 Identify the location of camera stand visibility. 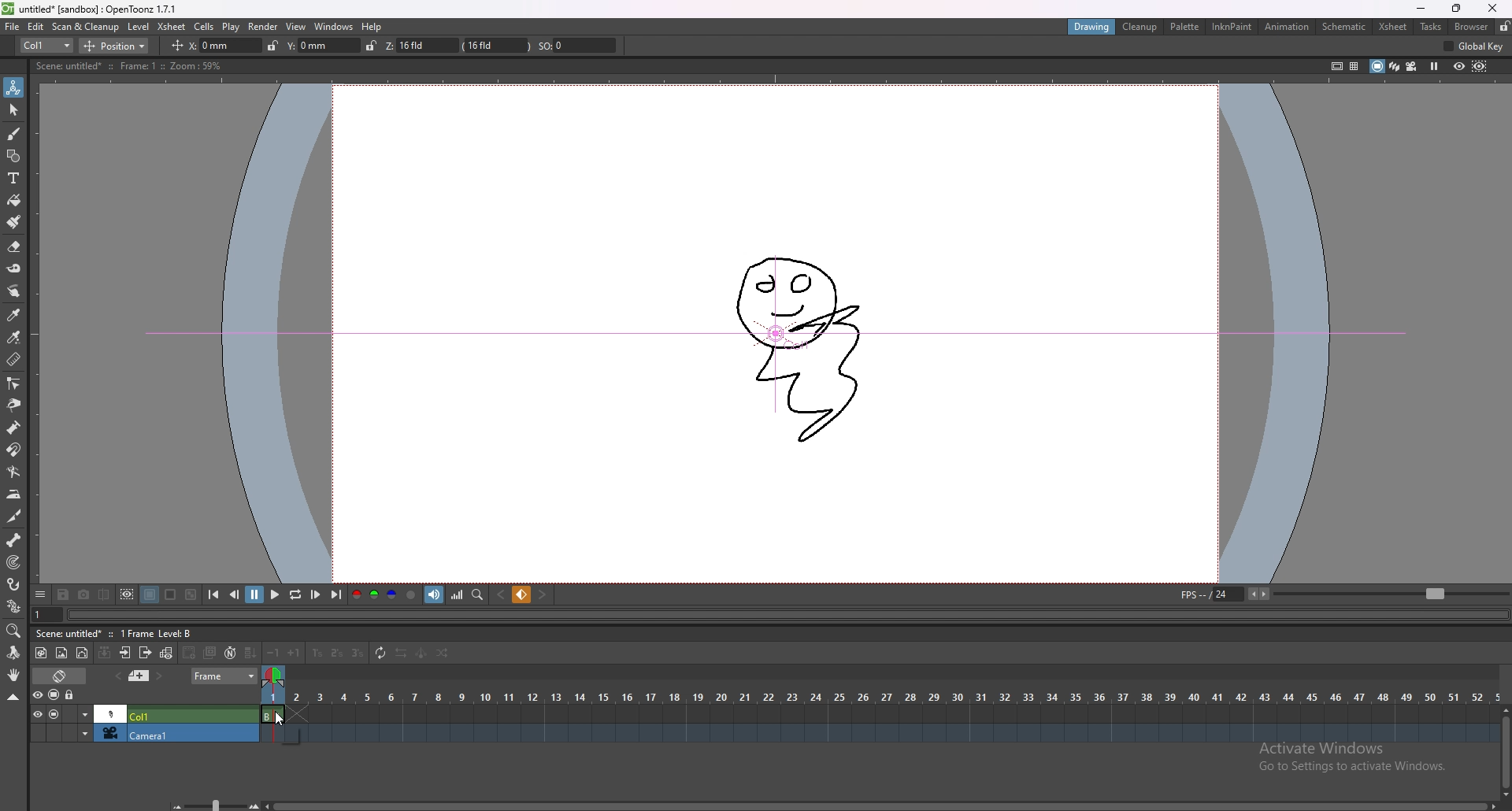
(55, 695).